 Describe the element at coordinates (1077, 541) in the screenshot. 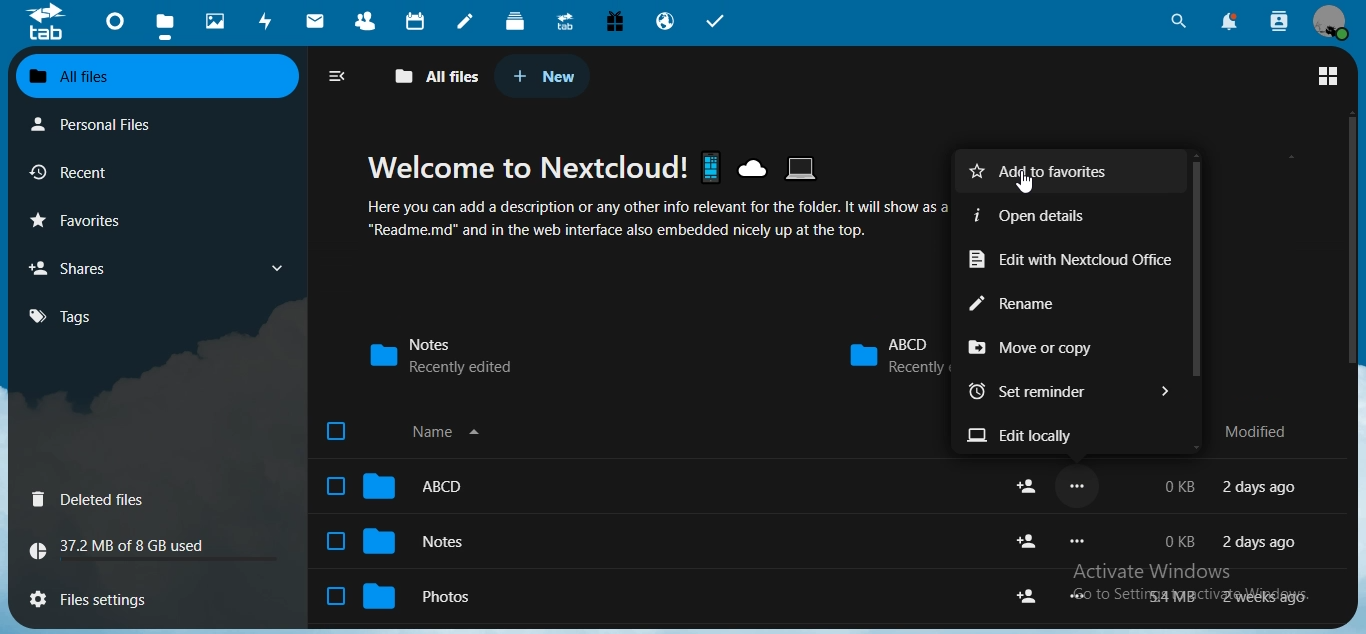

I see `...` at that location.